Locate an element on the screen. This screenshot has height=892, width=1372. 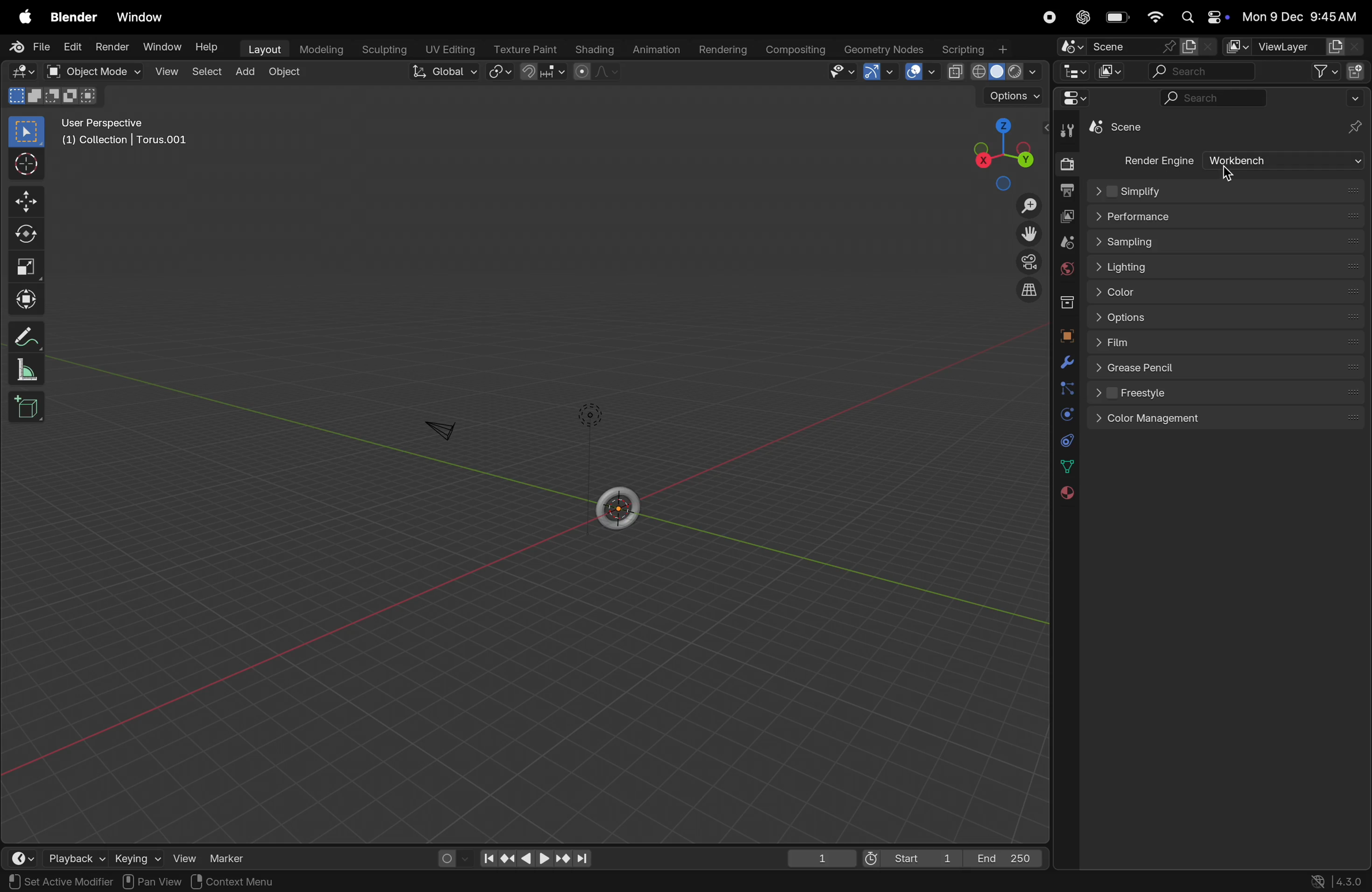
select is located at coordinates (206, 73).